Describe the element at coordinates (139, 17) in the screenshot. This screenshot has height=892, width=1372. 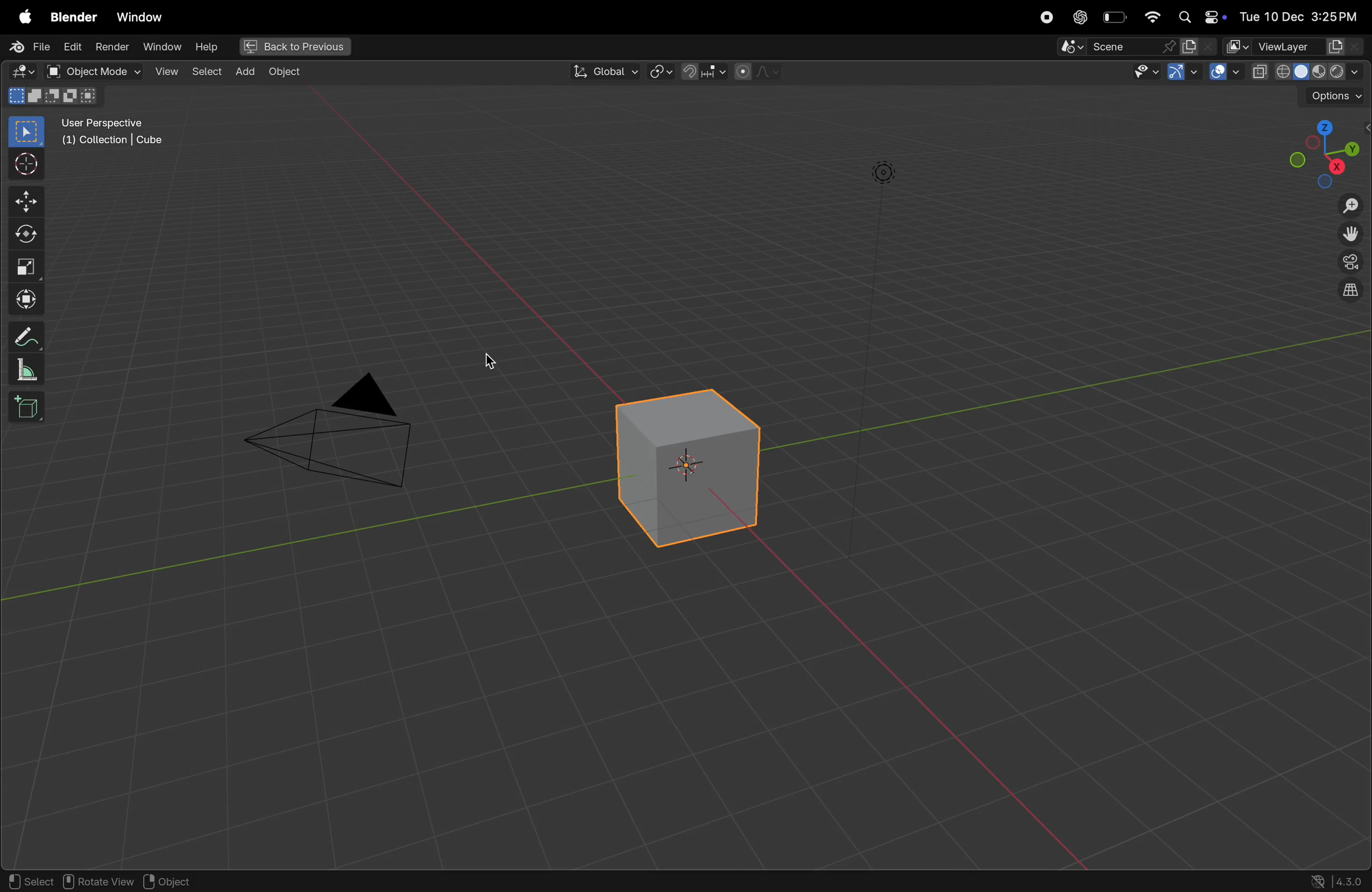
I see `Window` at that location.